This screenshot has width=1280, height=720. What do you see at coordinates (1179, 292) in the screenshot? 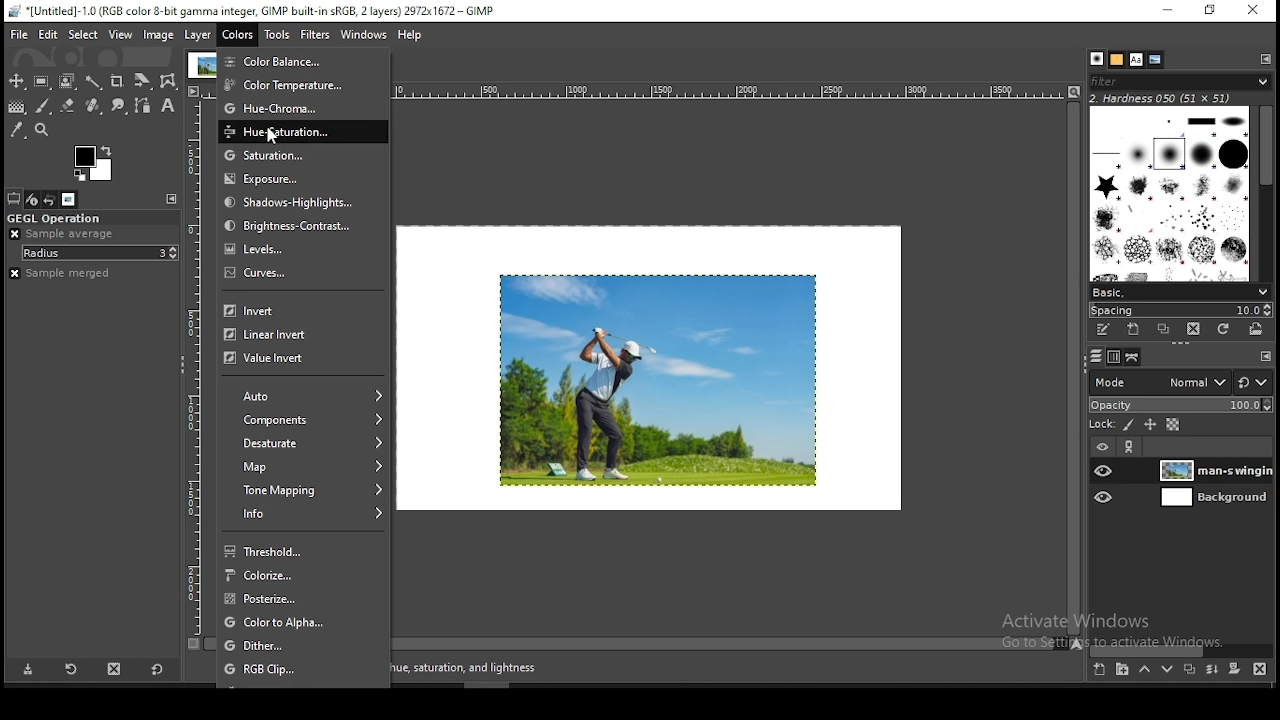
I see `brush presets` at bounding box center [1179, 292].